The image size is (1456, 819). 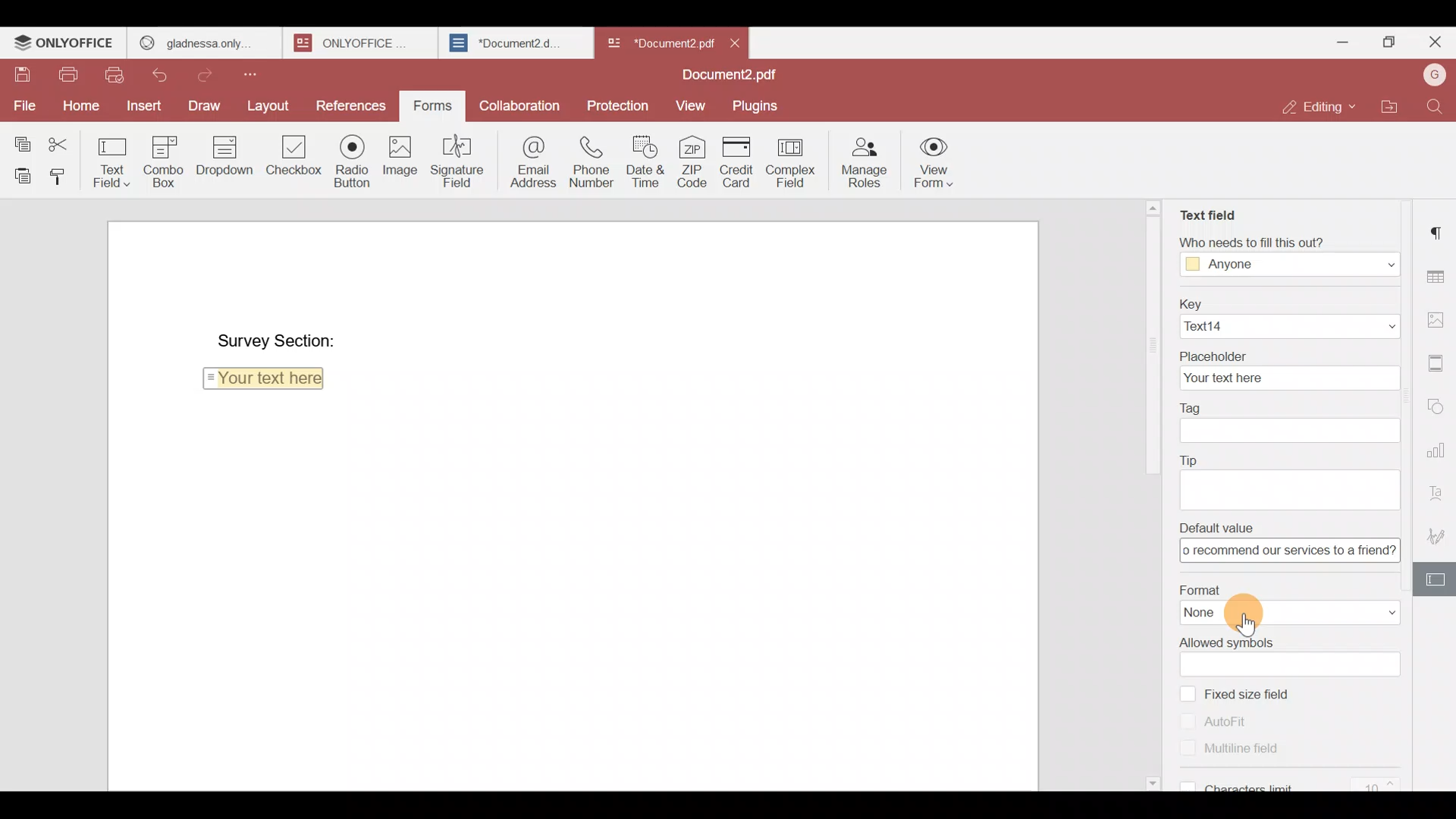 I want to click on Tag, so click(x=1284, y=405).